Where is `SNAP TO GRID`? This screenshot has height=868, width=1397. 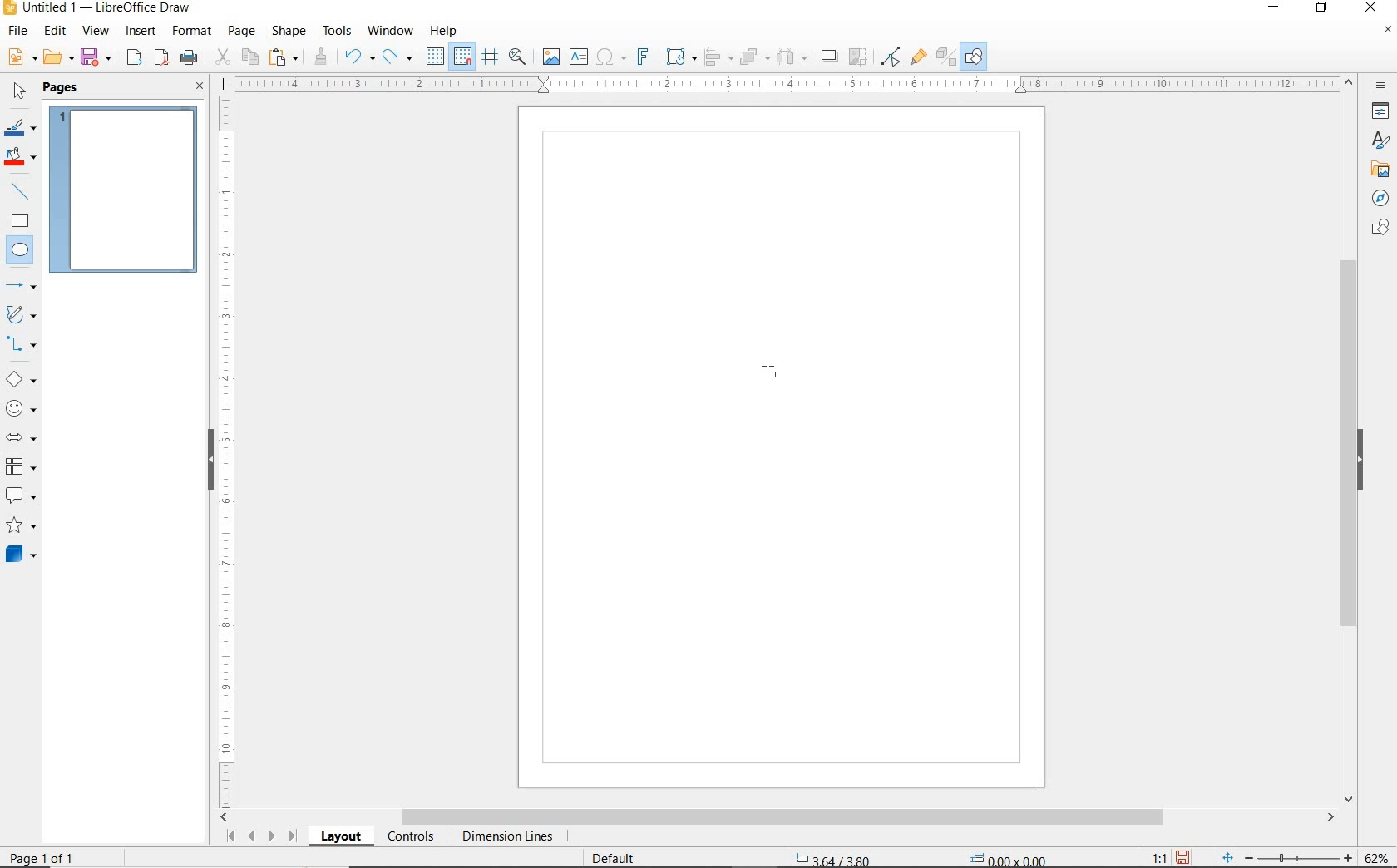 SNAP TO GRID is located at coordinates (462, 57).